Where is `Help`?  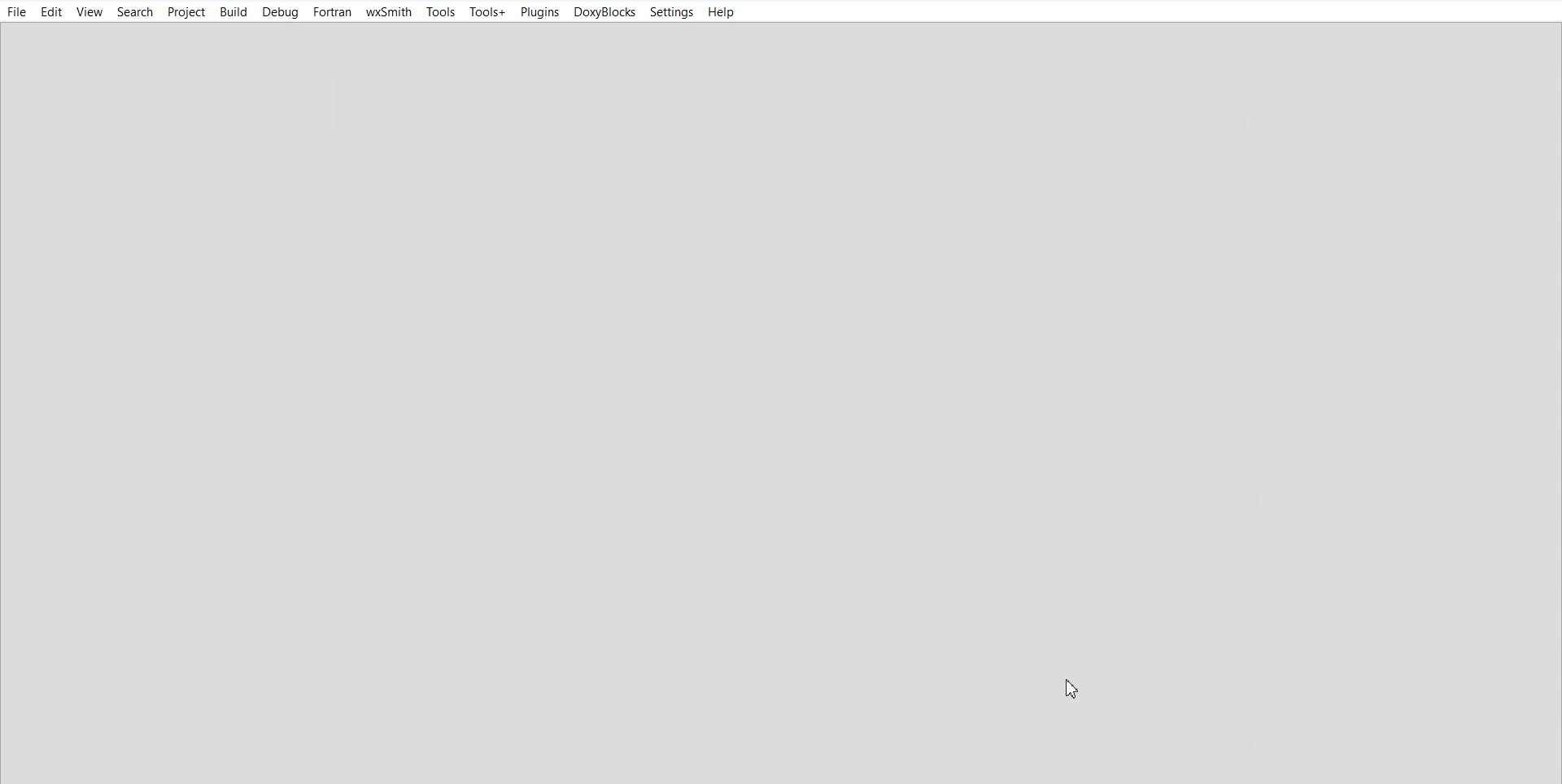 Help is located at coordinates (722, 12).